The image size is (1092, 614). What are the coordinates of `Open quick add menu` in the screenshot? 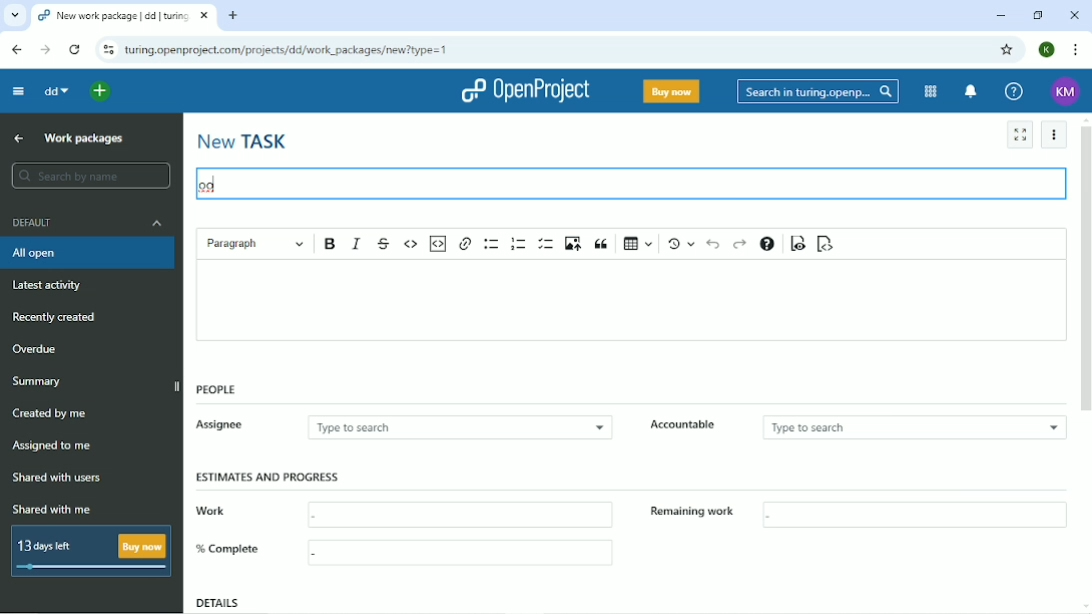 It's located at (108, 90).